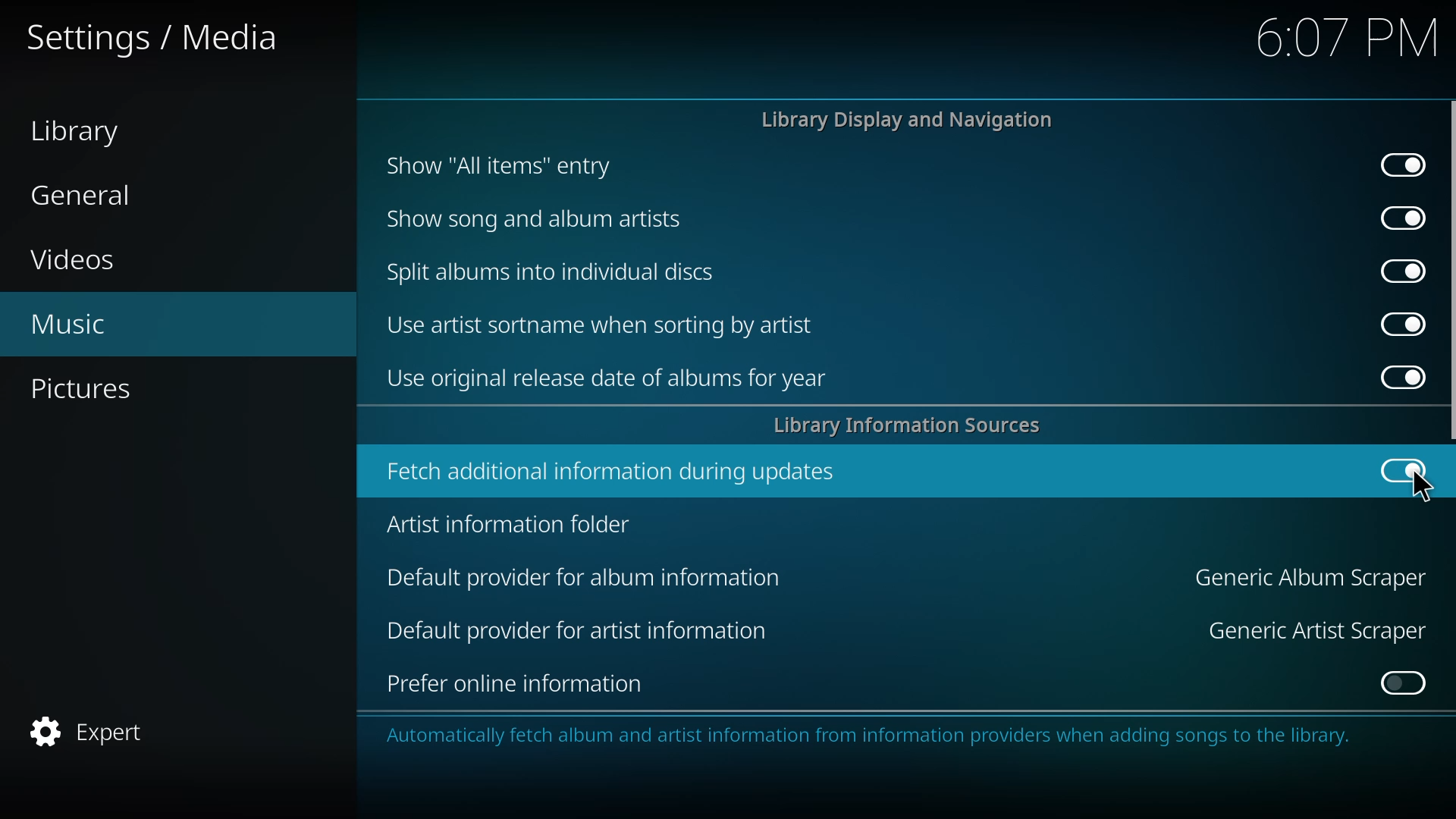 This screenshot has height=819, width=1456. I want to click on Show song and album artists, so click(543, 224).